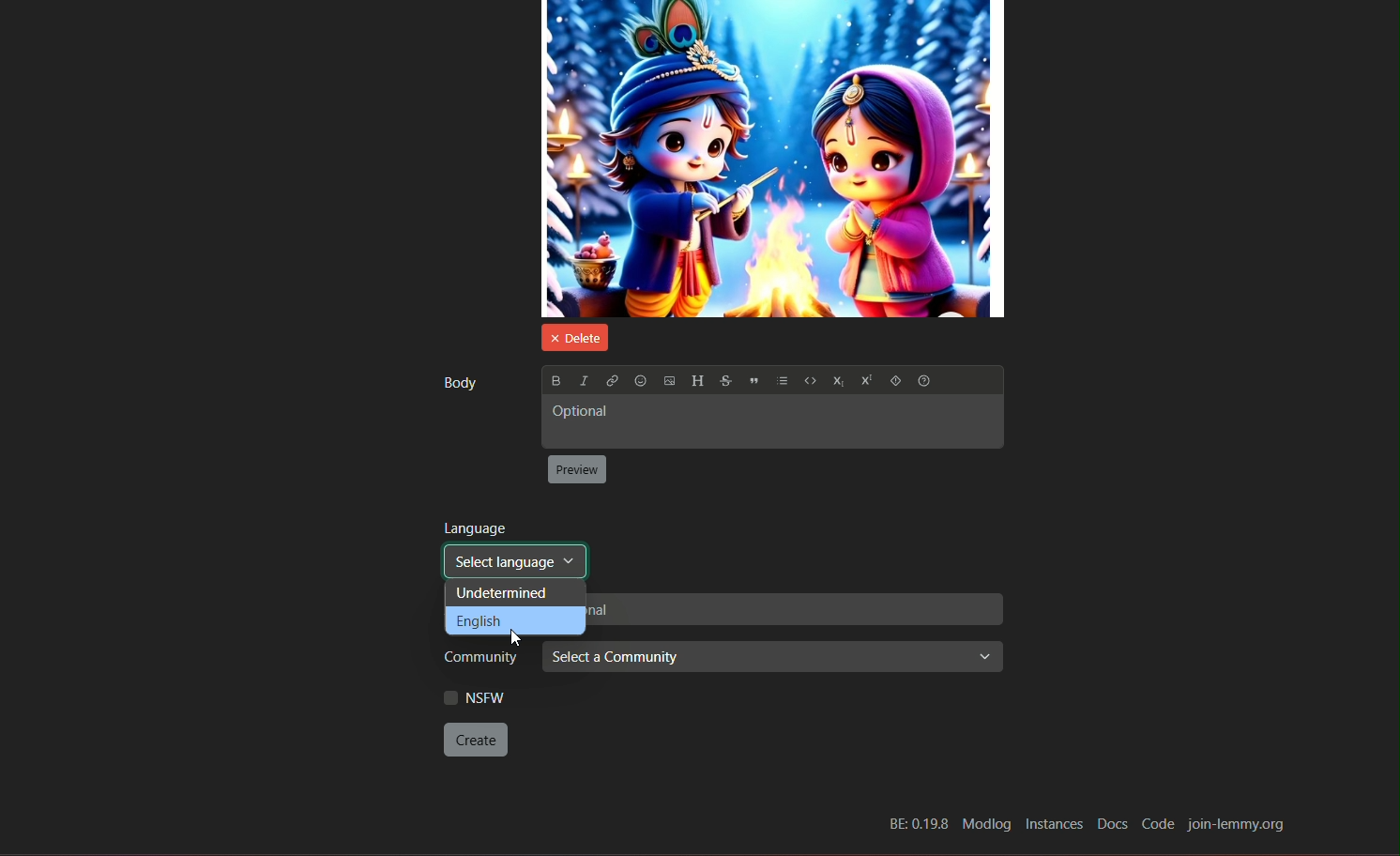 The width and height of the screenshot is (1400, 856). Describe the element at coordinates (894, 382) in the screenshot. I see `help` at that location.